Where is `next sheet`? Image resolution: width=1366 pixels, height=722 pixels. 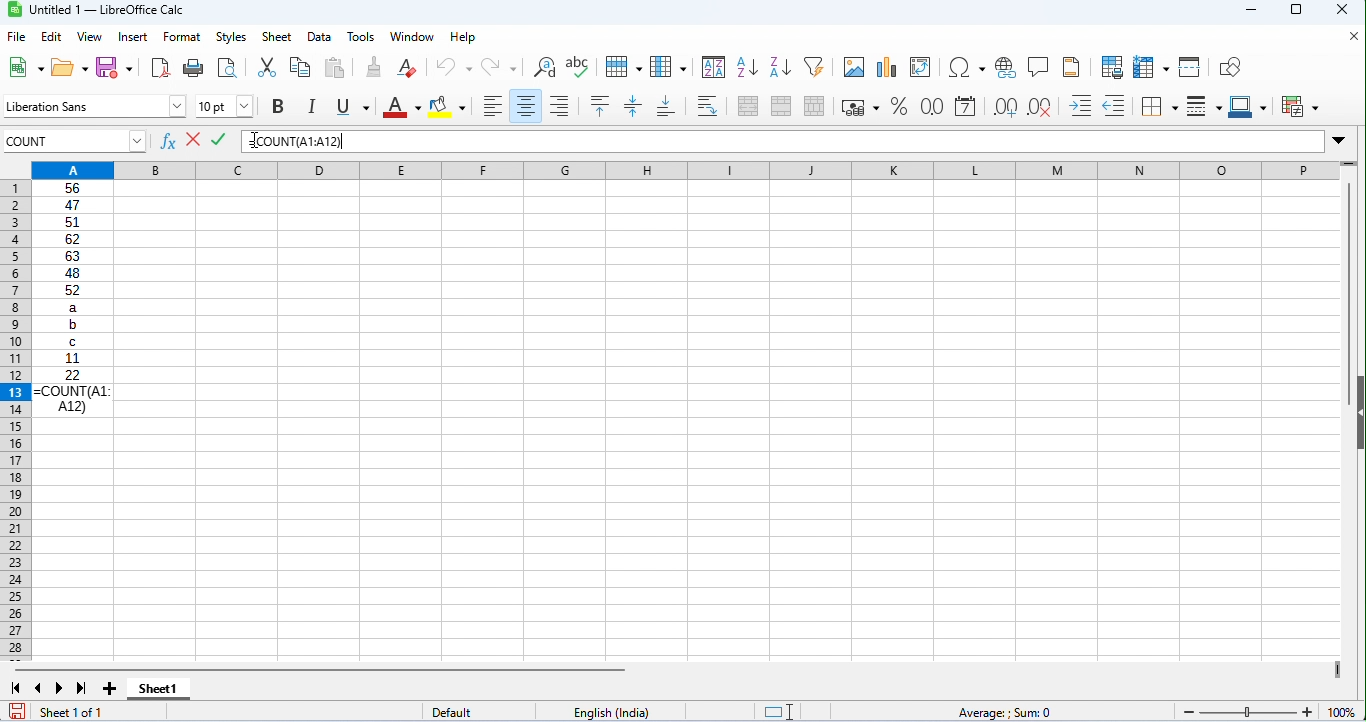 next sheet is located at coordinates (60, 688).